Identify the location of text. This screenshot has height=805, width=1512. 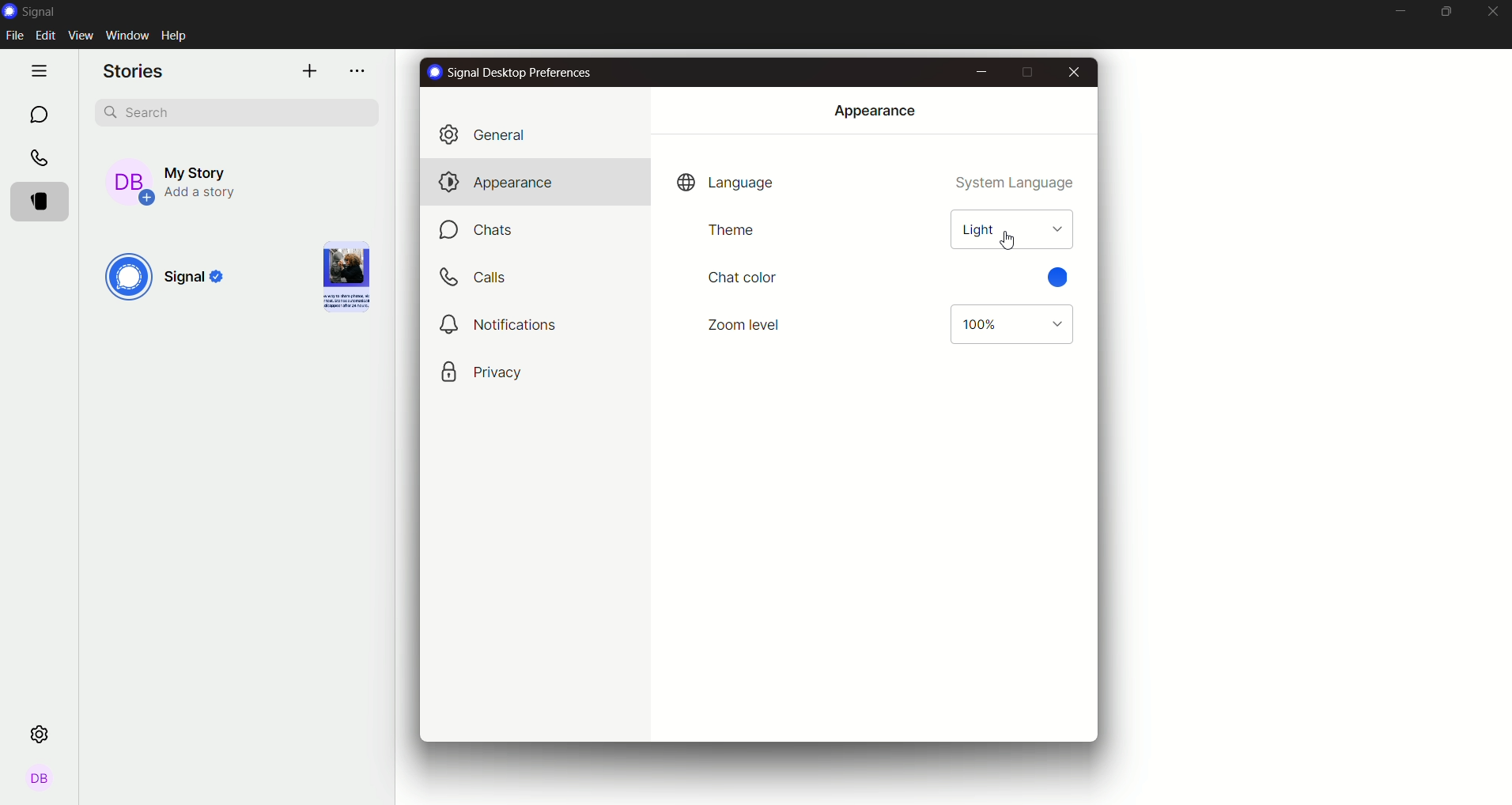
(512, 74).